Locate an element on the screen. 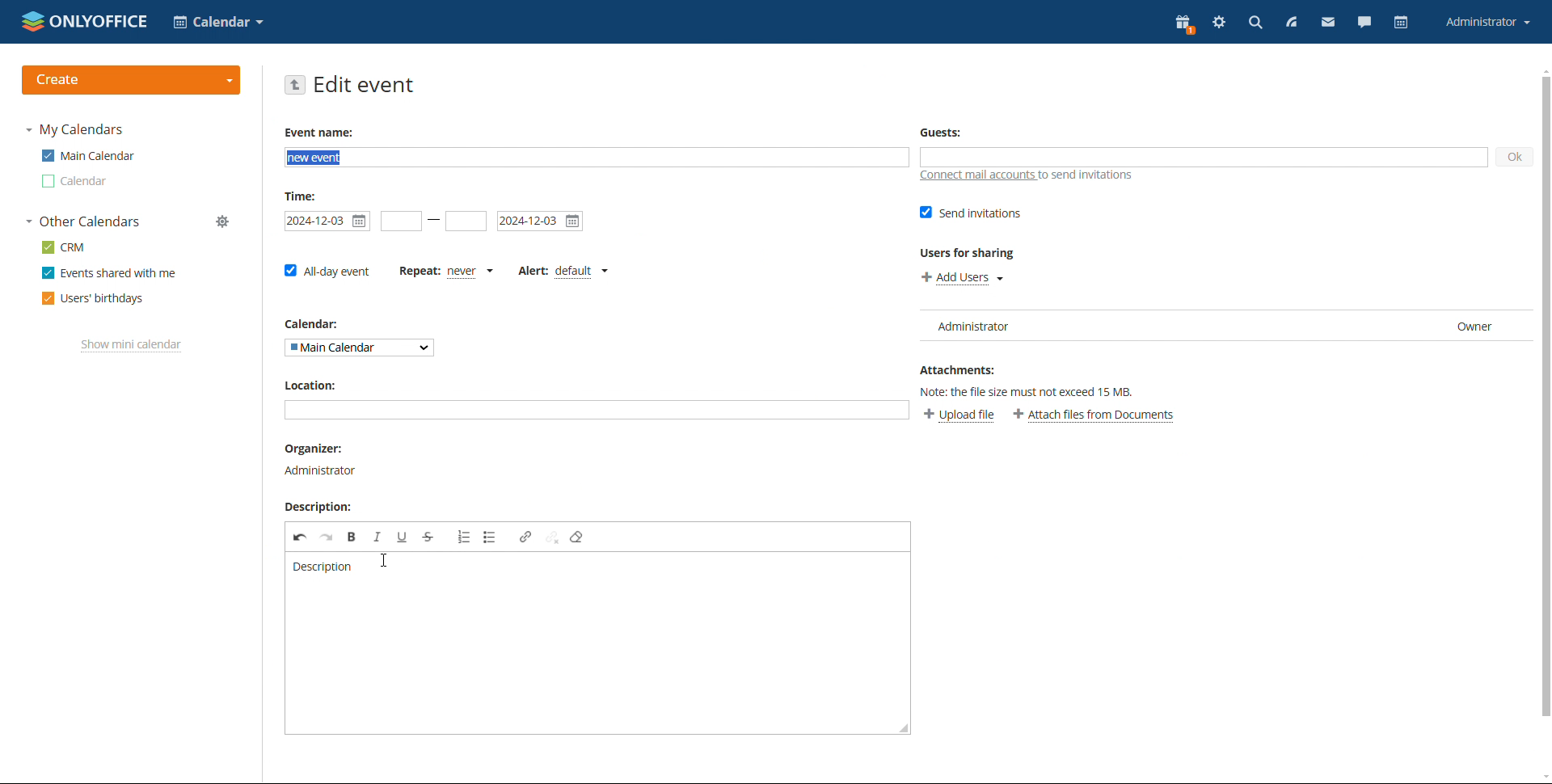 This screenshot has height=784, width=1552. send invitations is located at coordinates (972, 213).